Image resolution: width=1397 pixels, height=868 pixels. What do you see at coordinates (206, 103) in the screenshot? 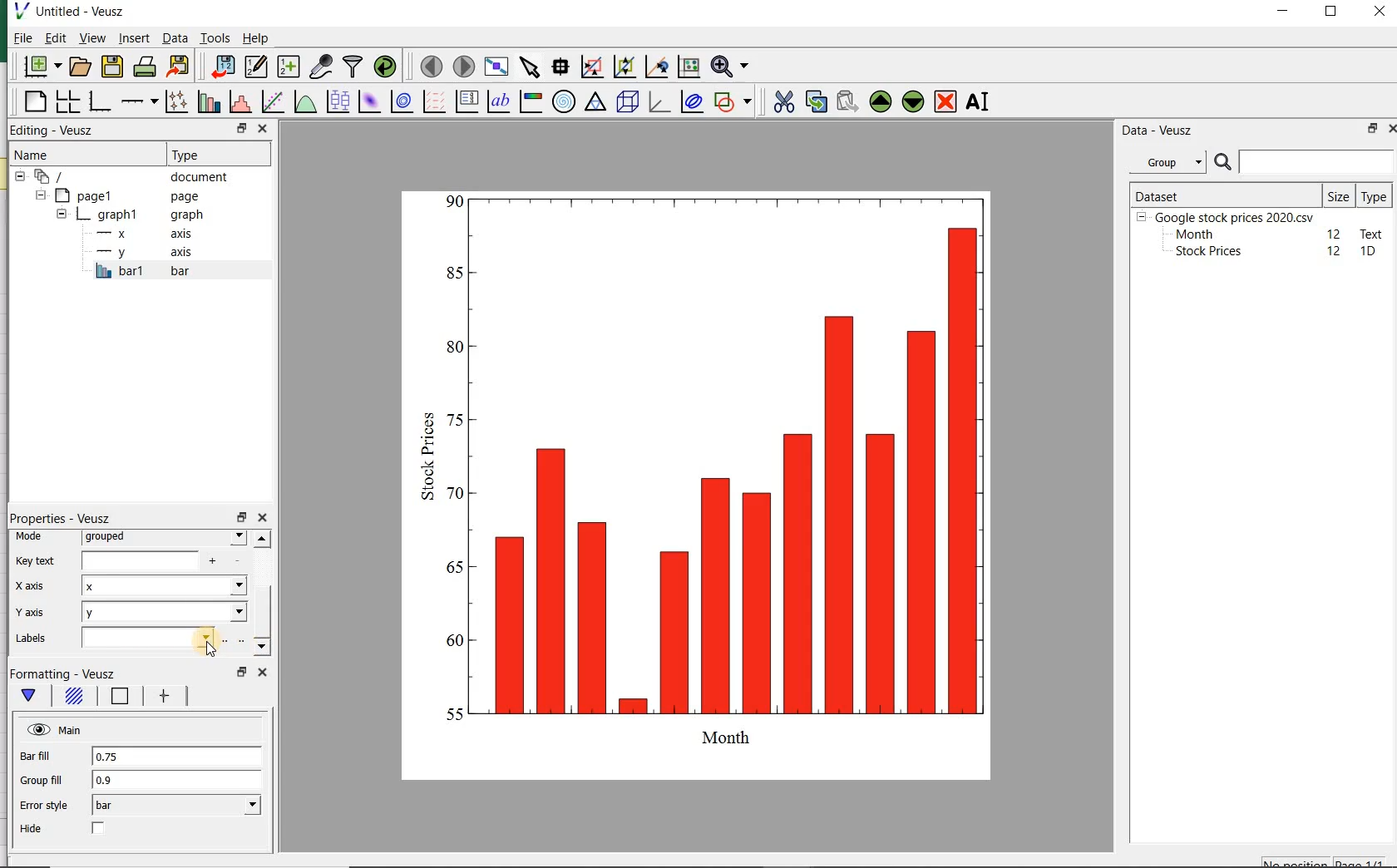
I see `plot bar charts` at bounding box center [206, 103].